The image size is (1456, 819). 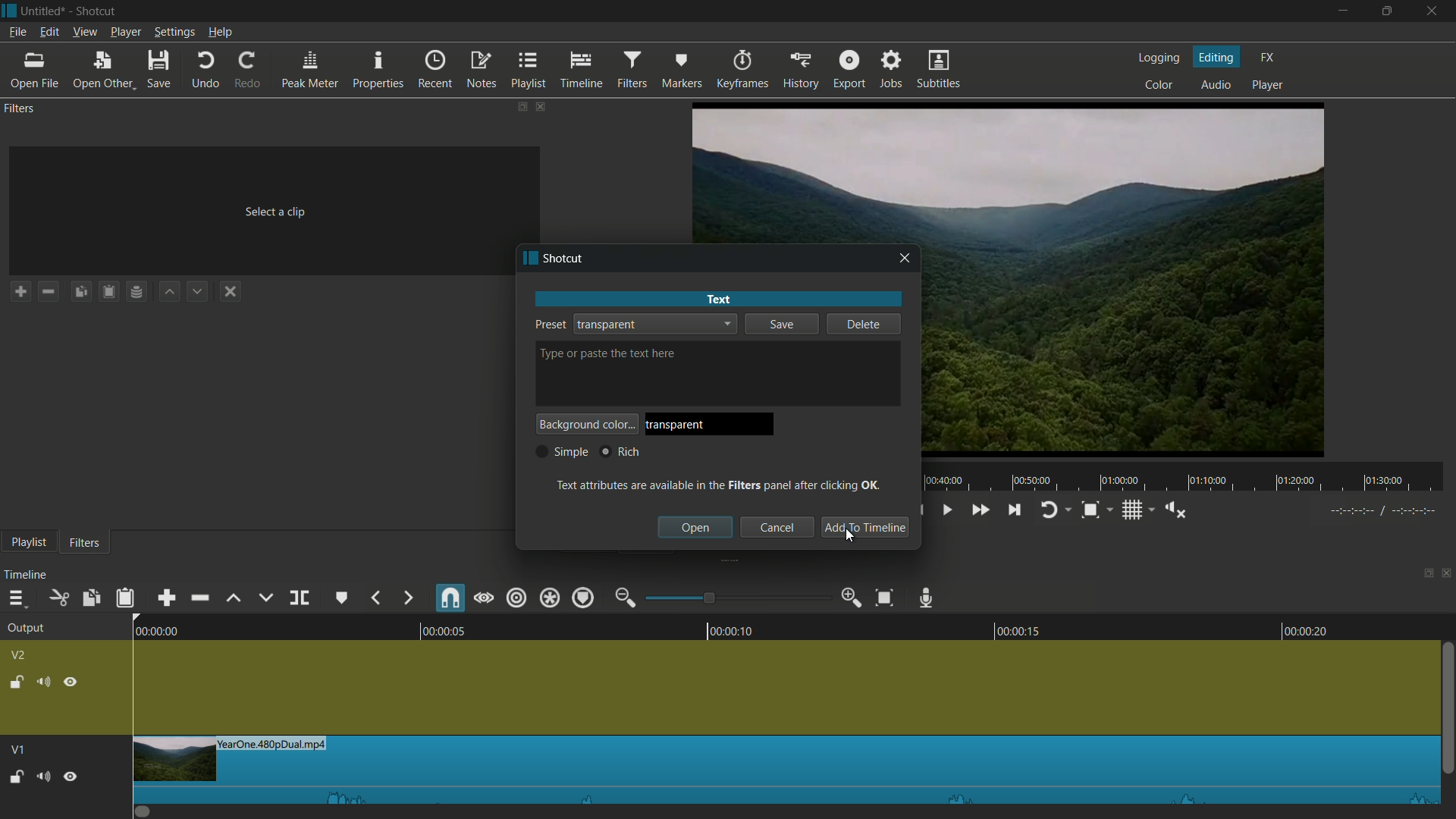 What do you see at coordinates (619, 451) in the screenshot?
I see `rich` at bounding box center [619, 451].